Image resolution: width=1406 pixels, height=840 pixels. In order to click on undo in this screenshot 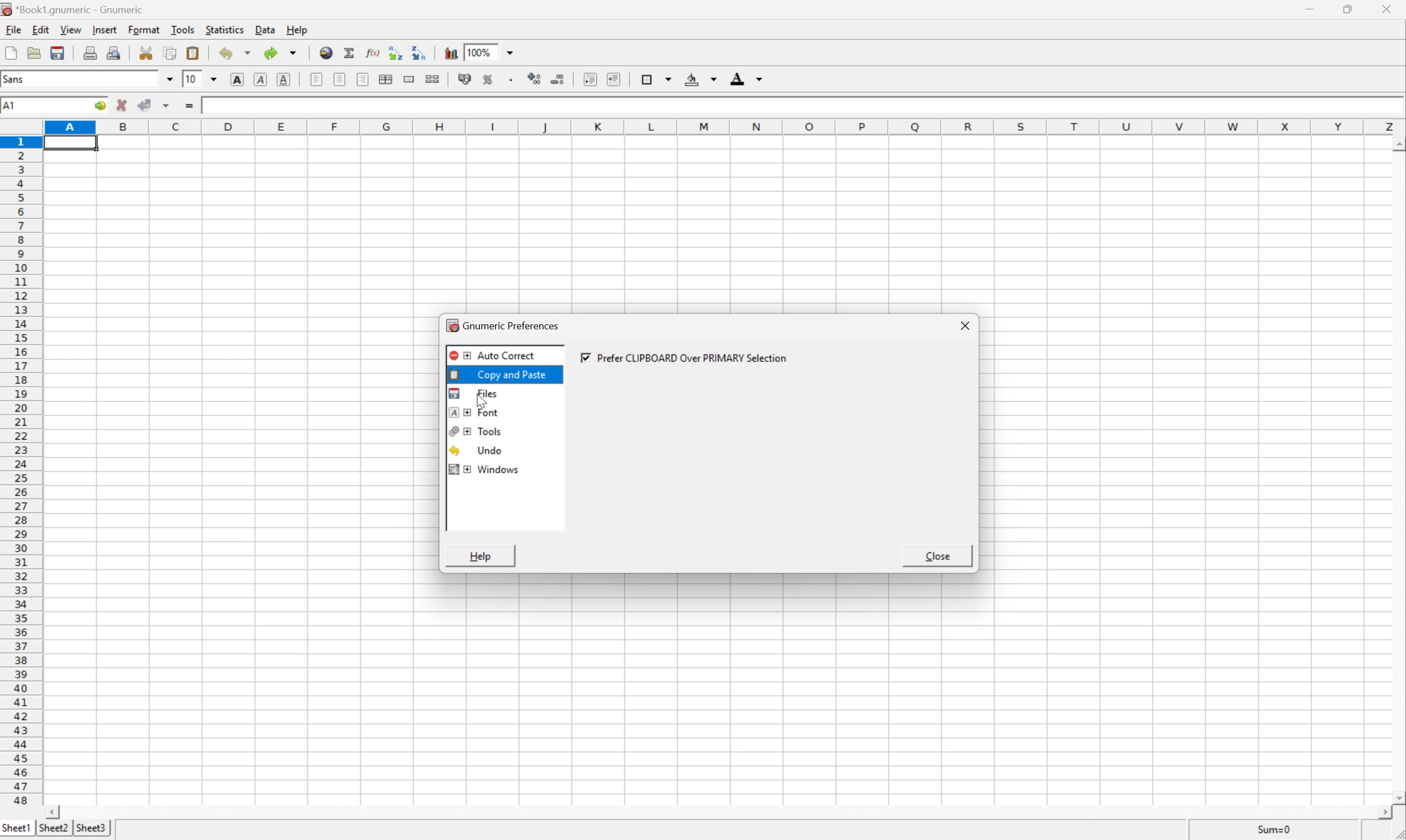, I will do `click(480, 452)`.